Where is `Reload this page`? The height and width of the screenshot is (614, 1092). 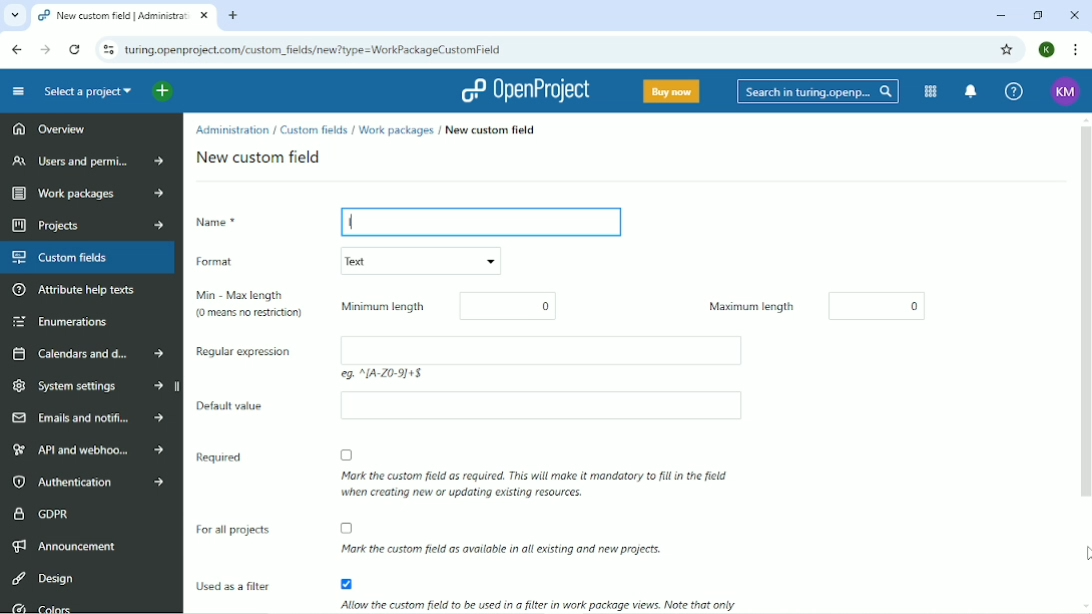
Reload this page is located at coordinates (76, 49).